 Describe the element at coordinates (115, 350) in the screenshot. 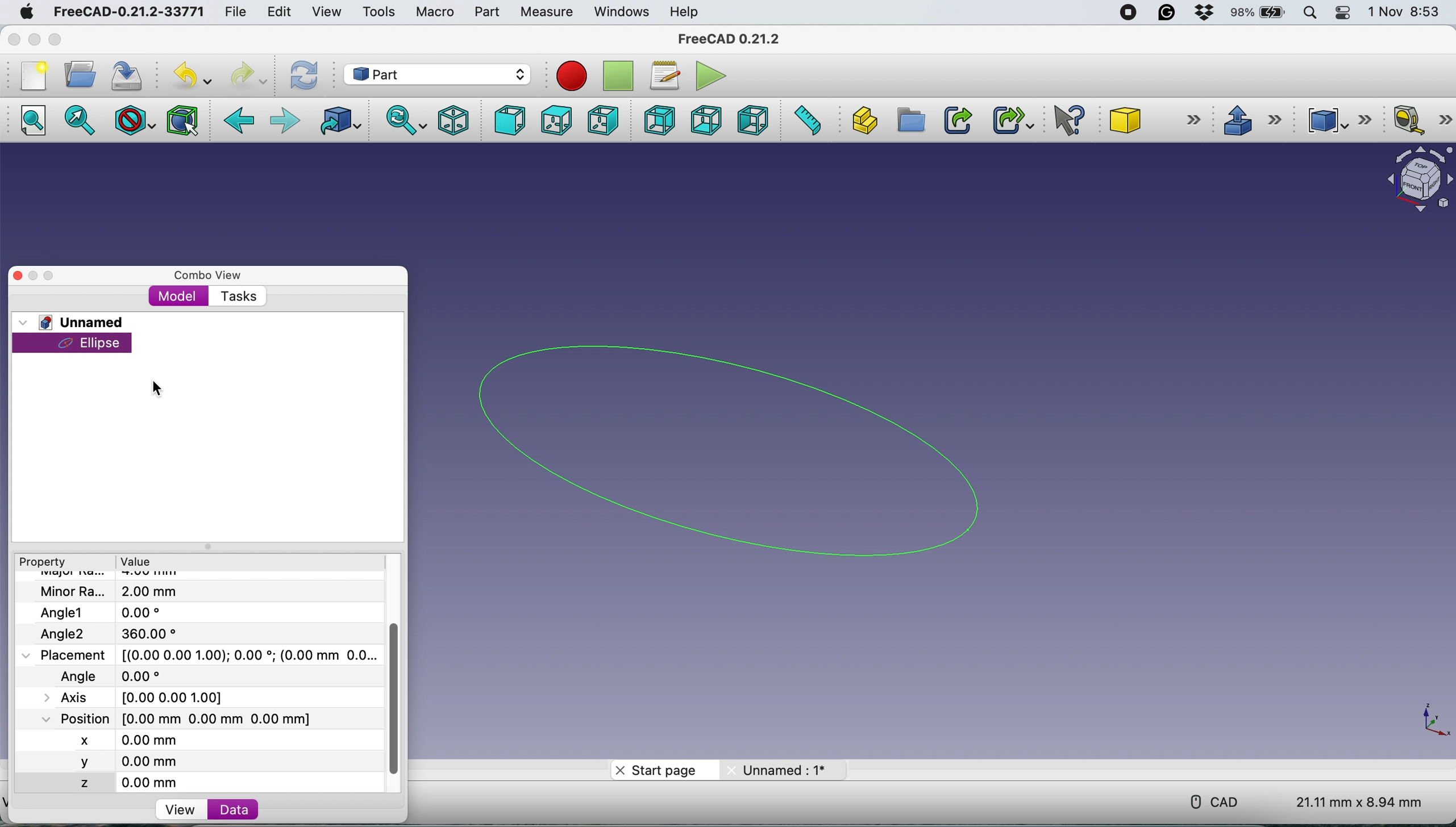

I see `cursor` at that location.